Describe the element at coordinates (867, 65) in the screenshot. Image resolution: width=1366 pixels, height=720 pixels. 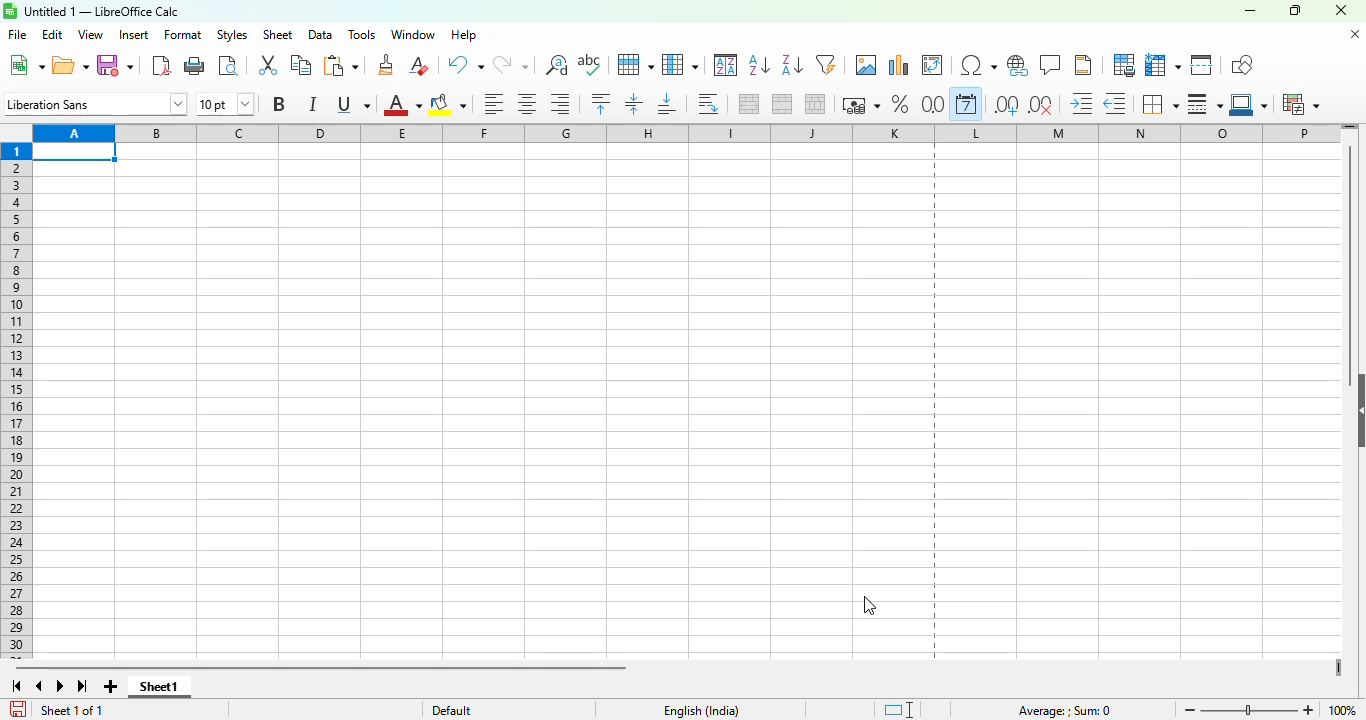
I see `insert image` at that location.